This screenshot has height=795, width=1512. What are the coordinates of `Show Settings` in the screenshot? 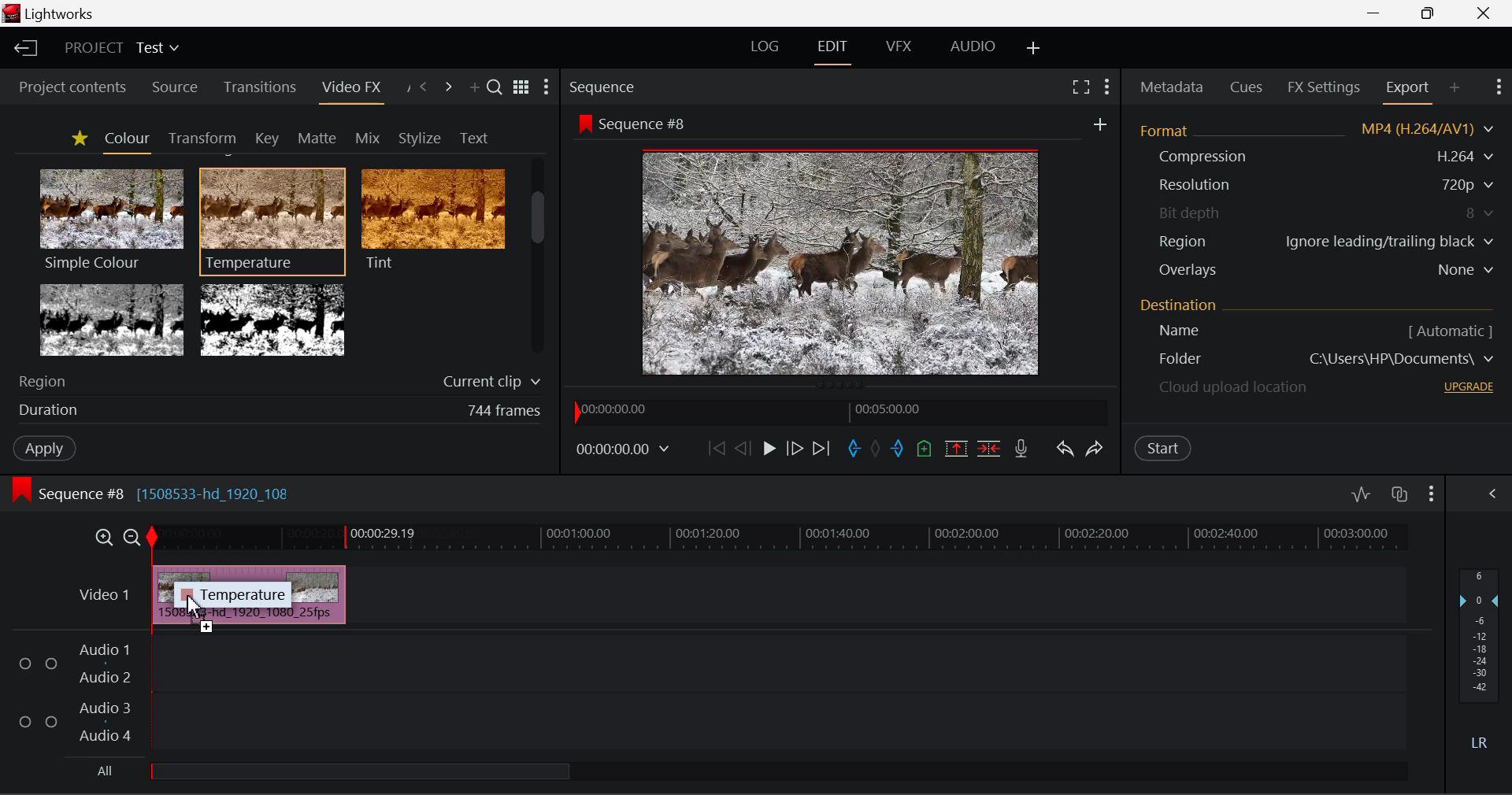 It's located at (1432, 492).